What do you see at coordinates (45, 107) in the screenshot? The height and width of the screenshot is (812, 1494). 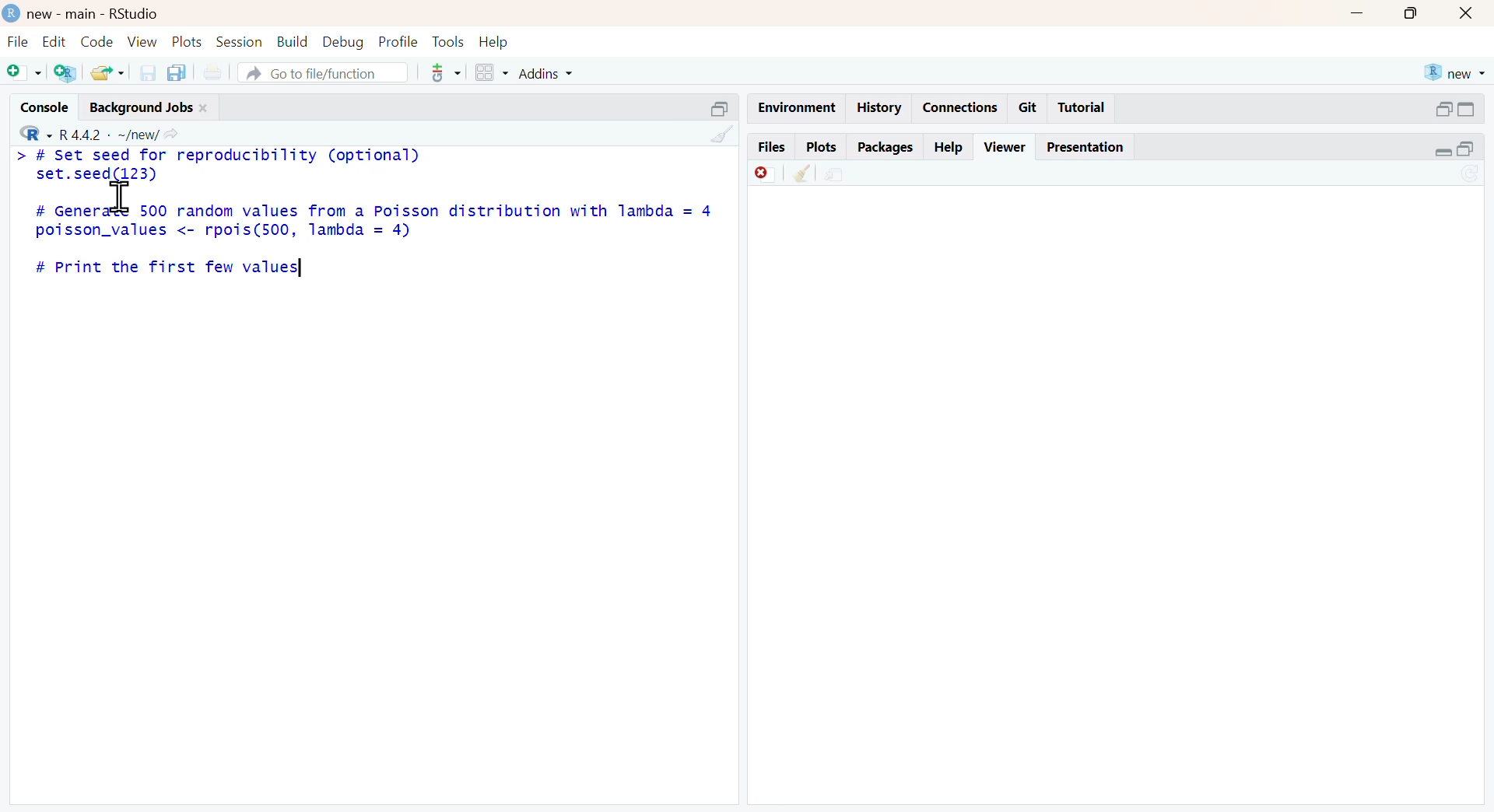 I see `console` at bounding box center [45, 107].